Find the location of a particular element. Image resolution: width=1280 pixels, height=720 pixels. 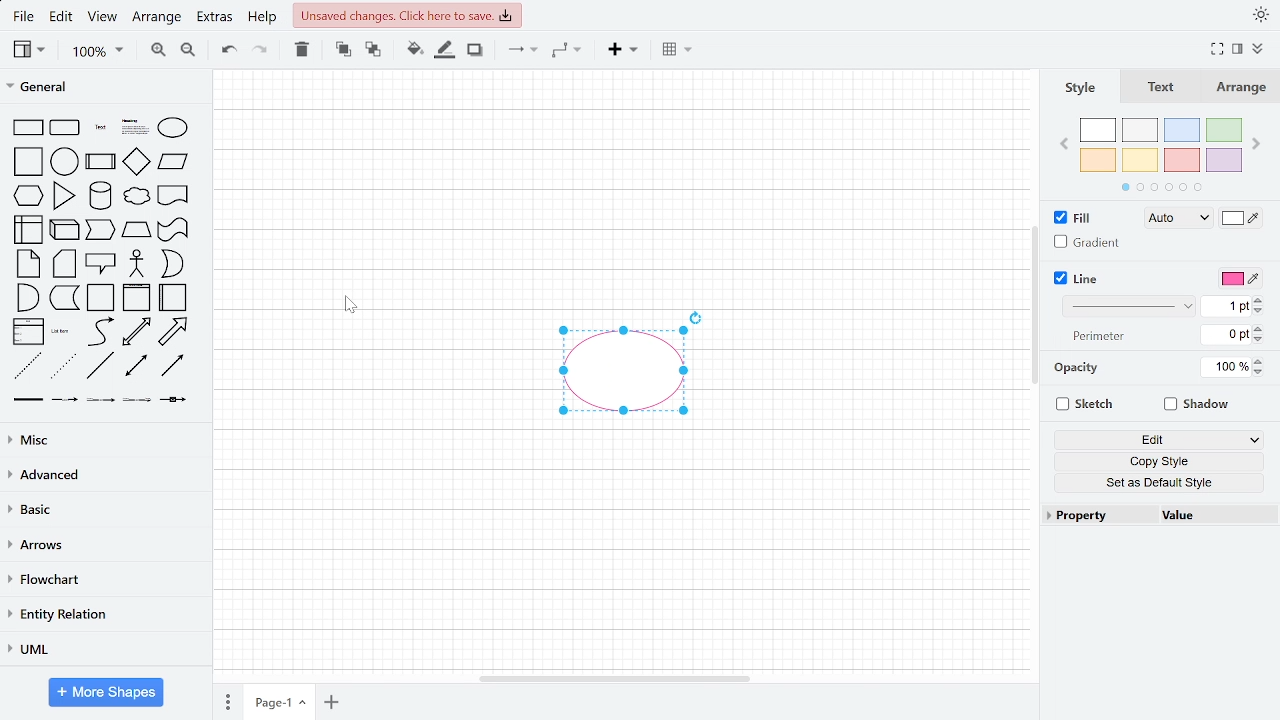

note is located at coordinates (27, 263).